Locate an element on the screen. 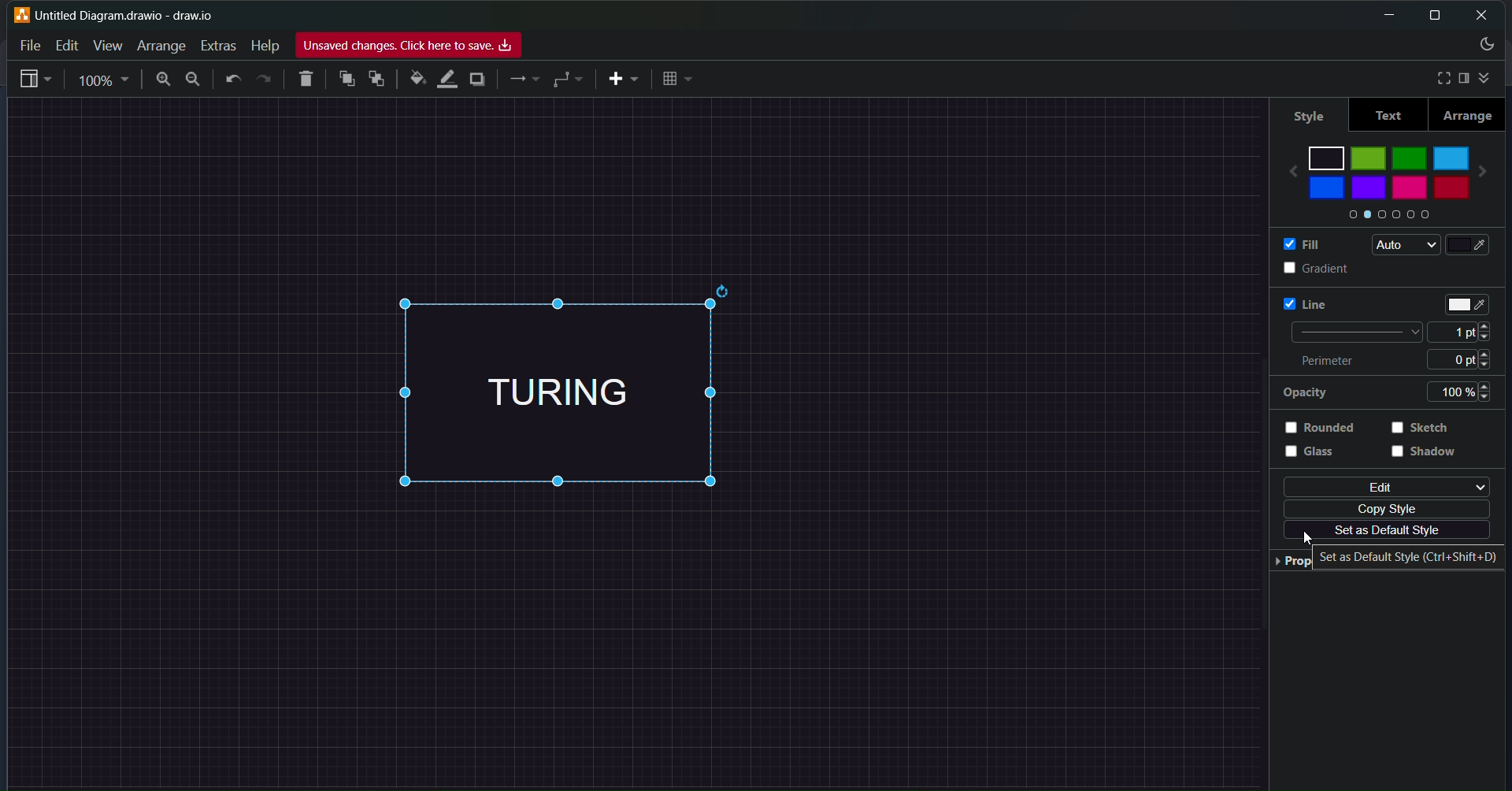  delete is located at coordinates (308, 76).